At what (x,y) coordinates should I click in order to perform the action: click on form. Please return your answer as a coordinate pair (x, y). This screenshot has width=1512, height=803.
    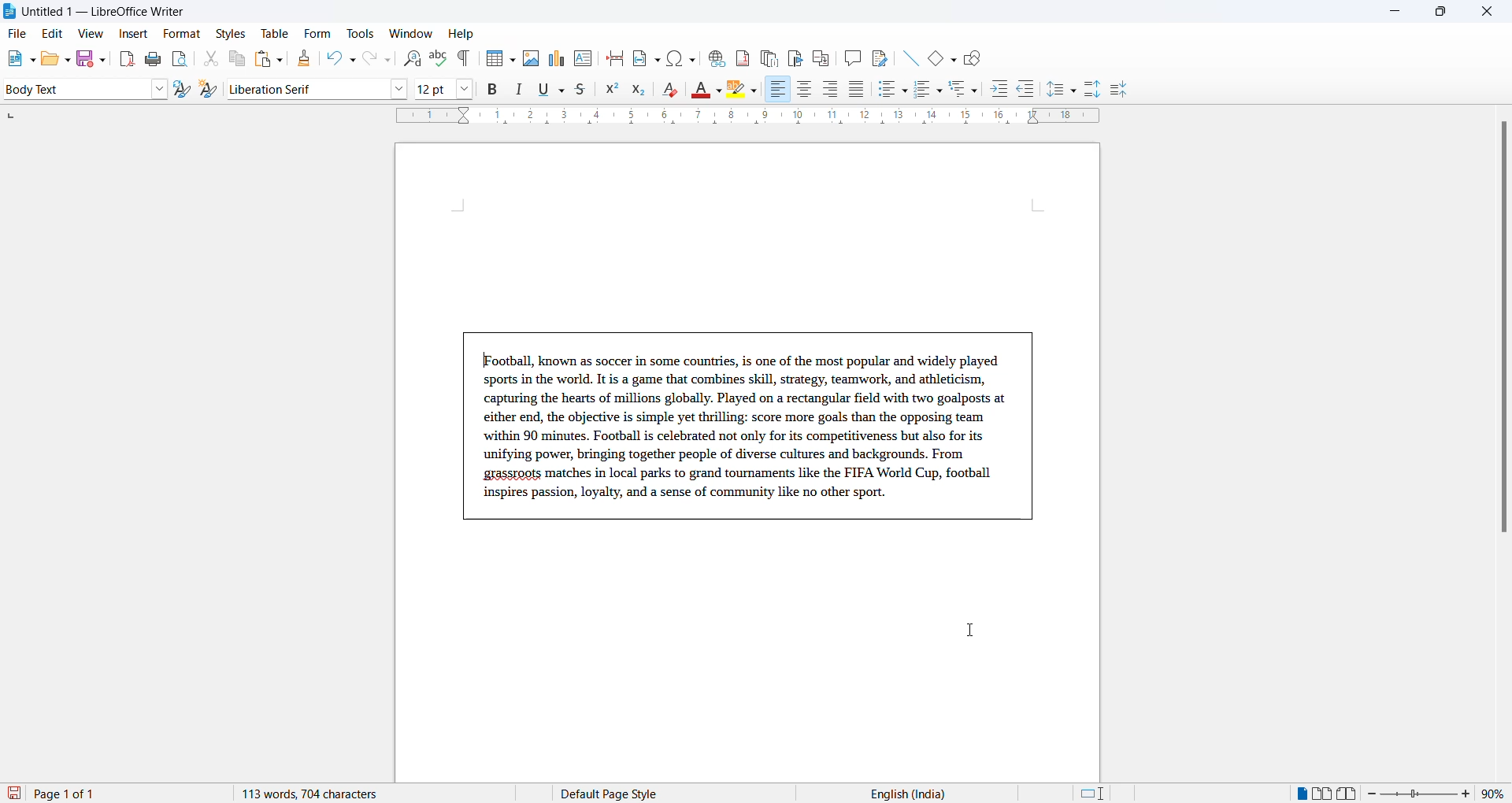
    Looking at the image, I should click on (317, 33).